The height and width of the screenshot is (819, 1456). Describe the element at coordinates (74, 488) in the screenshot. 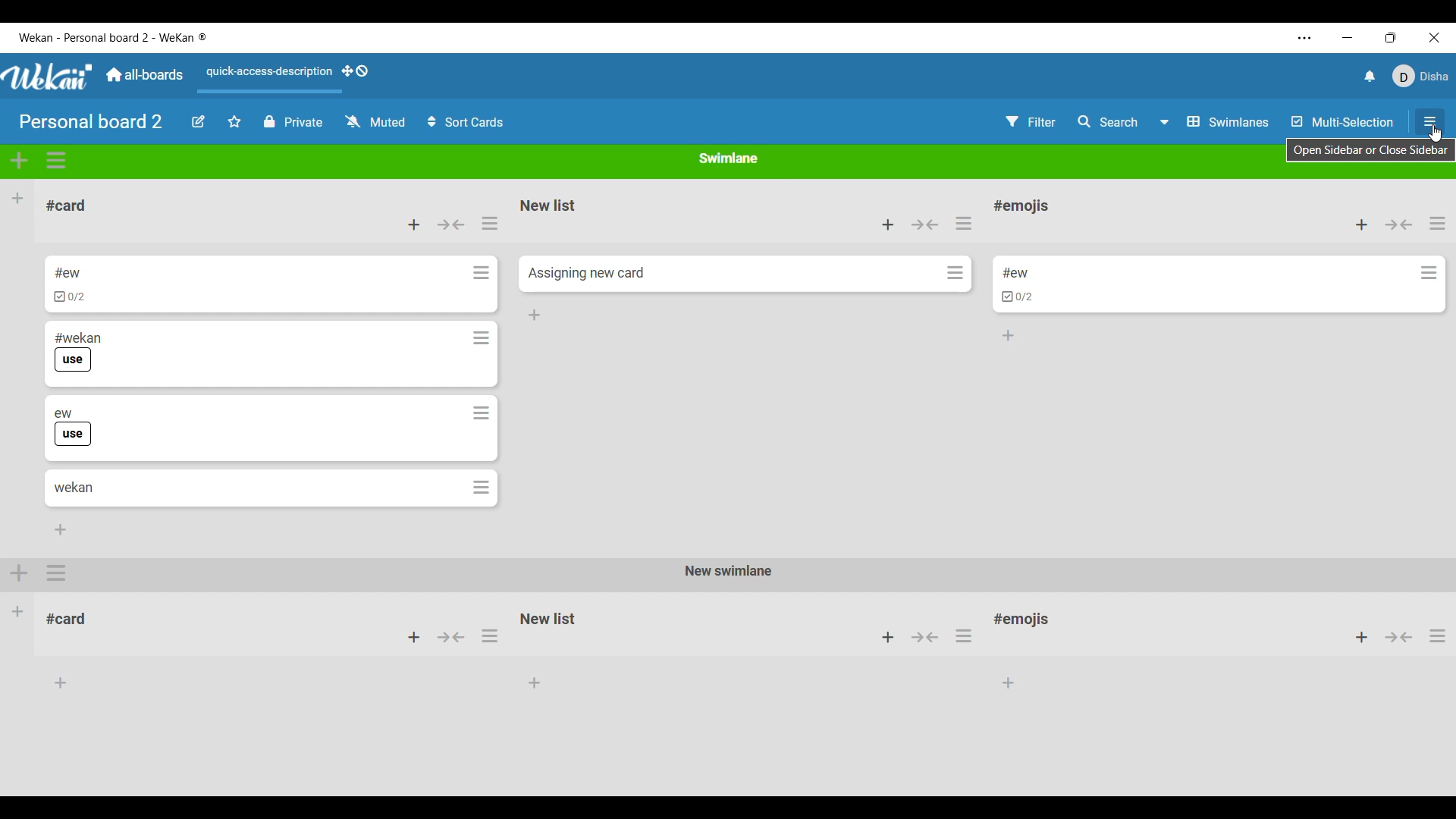

I see `Card title` at that location.